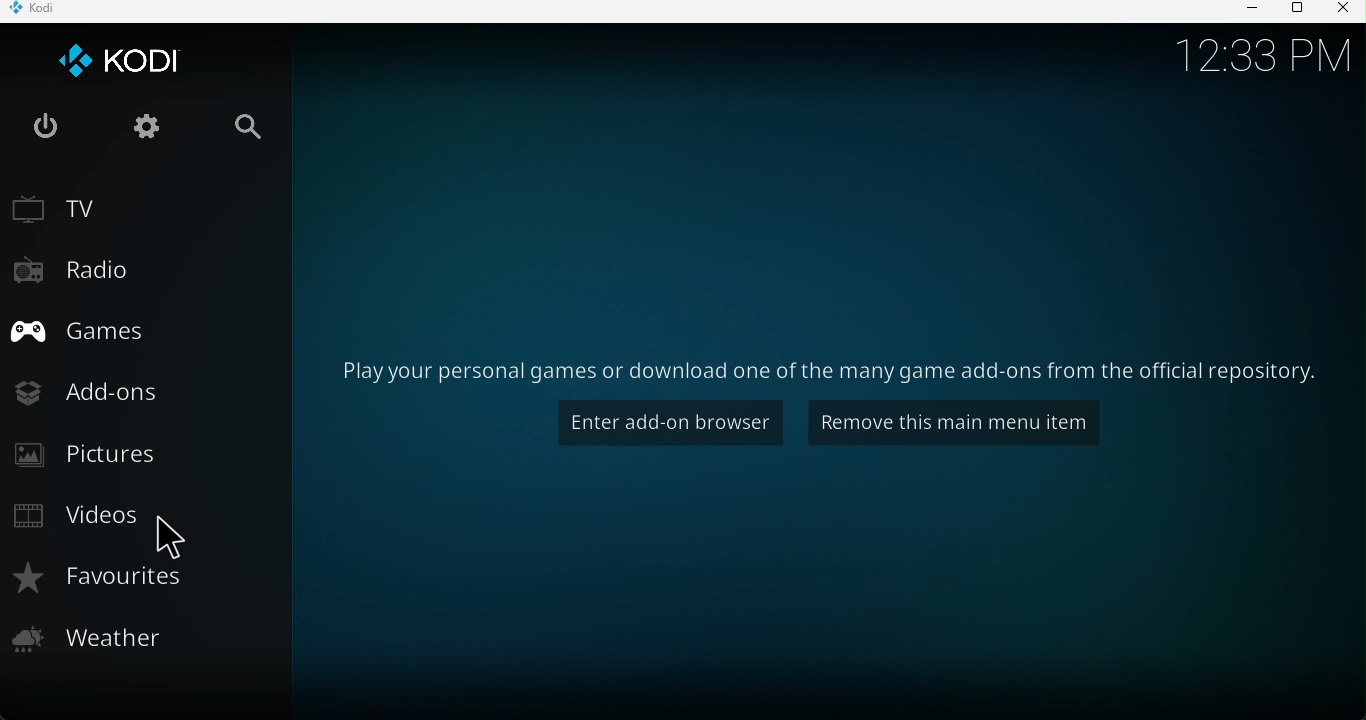 The image size is (1366, 720). I want to click on Settings, so click(153, 133).